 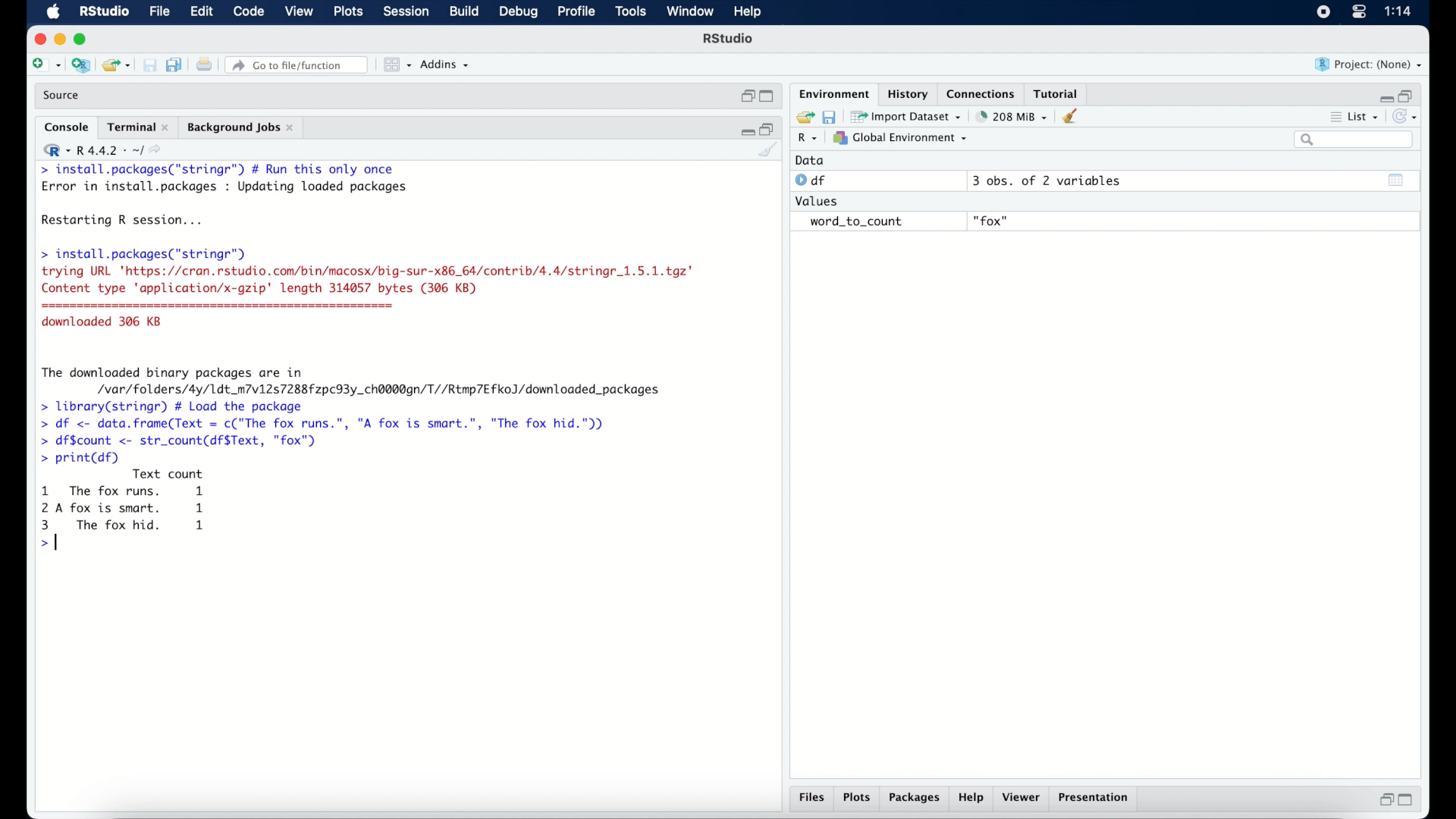 What do you see at coordinates (1356, 118) in the screenshot?
I see `list` at bounding box center [1356, 118].